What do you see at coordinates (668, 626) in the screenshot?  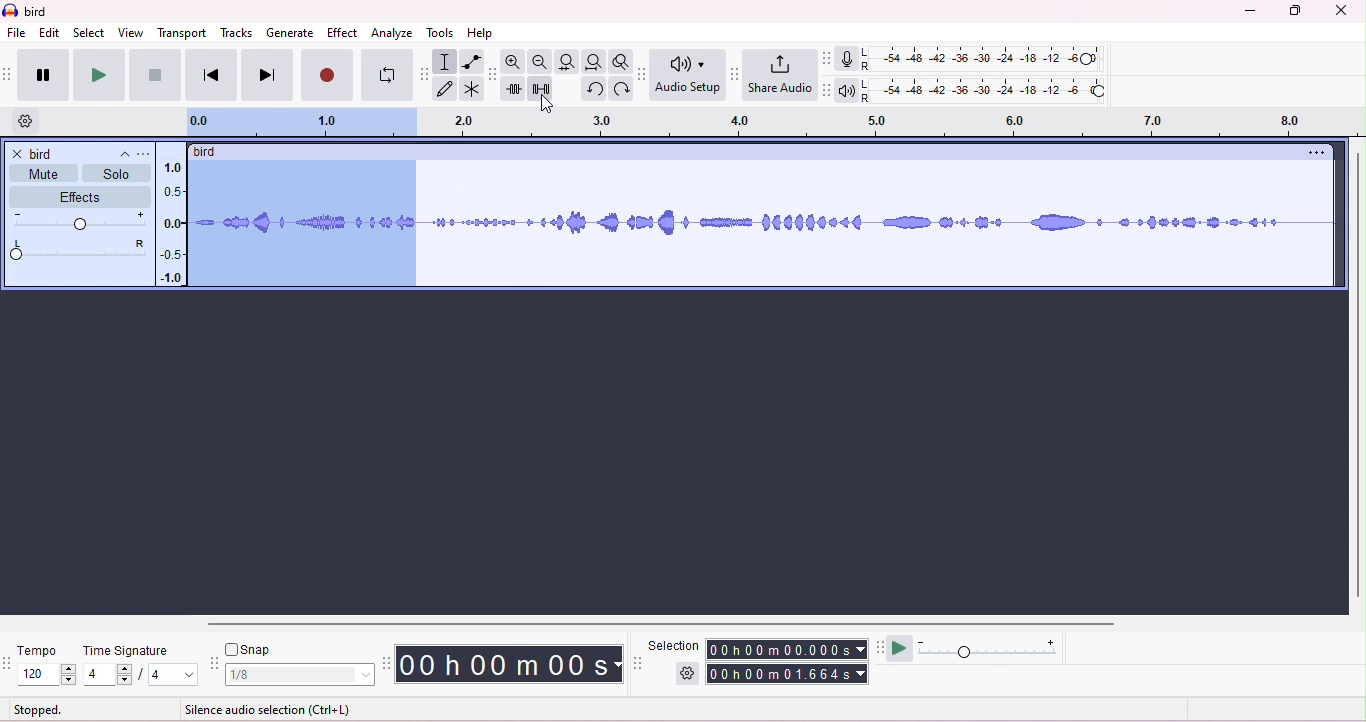 I see `horizontal scroll bar` at bounding box center [668, 626].